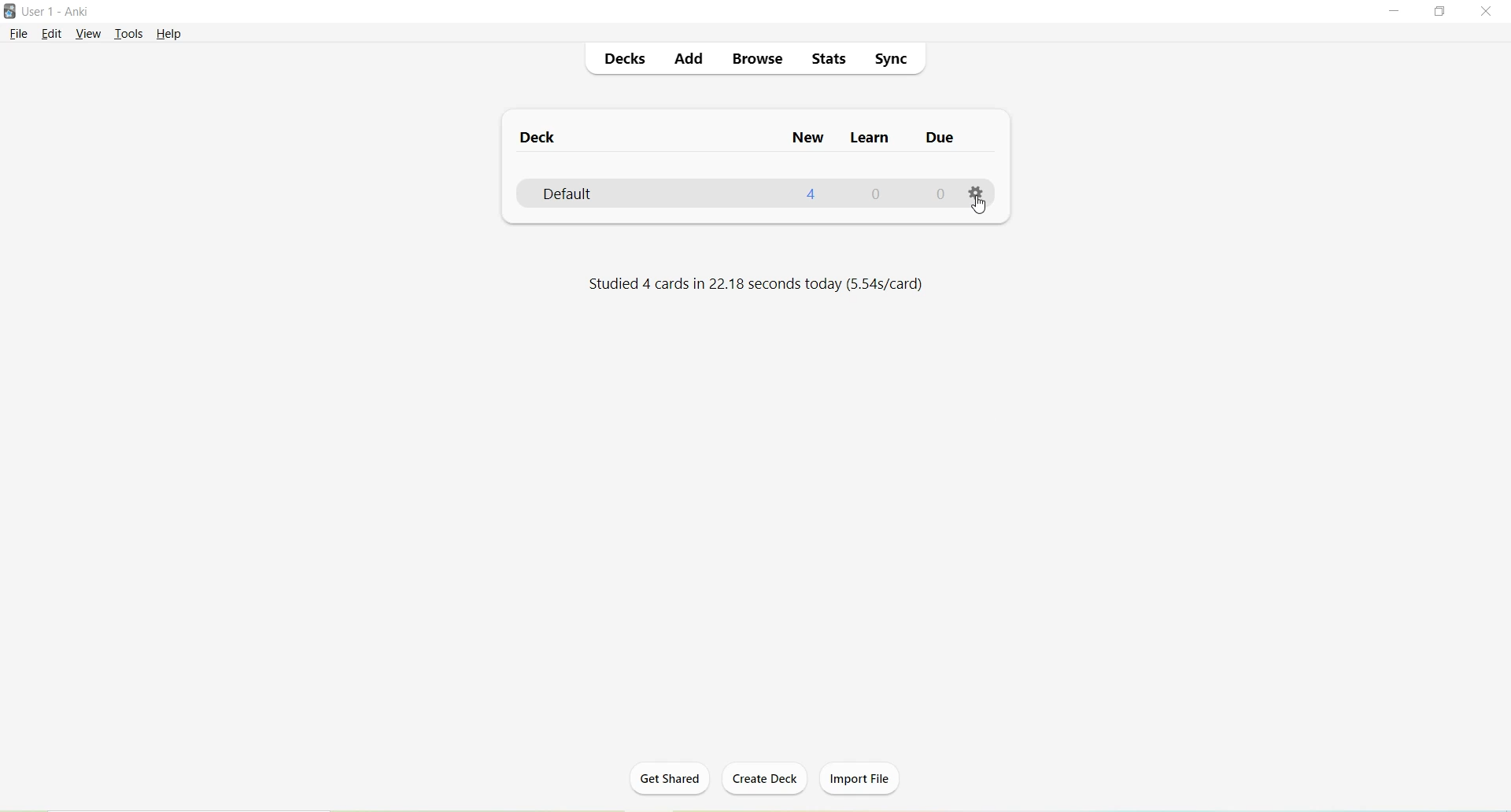 This screenshot has width=1511, height=812. What do you see at coordinates (829, 58) in the screenshot?
I see `Stats` at bounding box center [829, 58].